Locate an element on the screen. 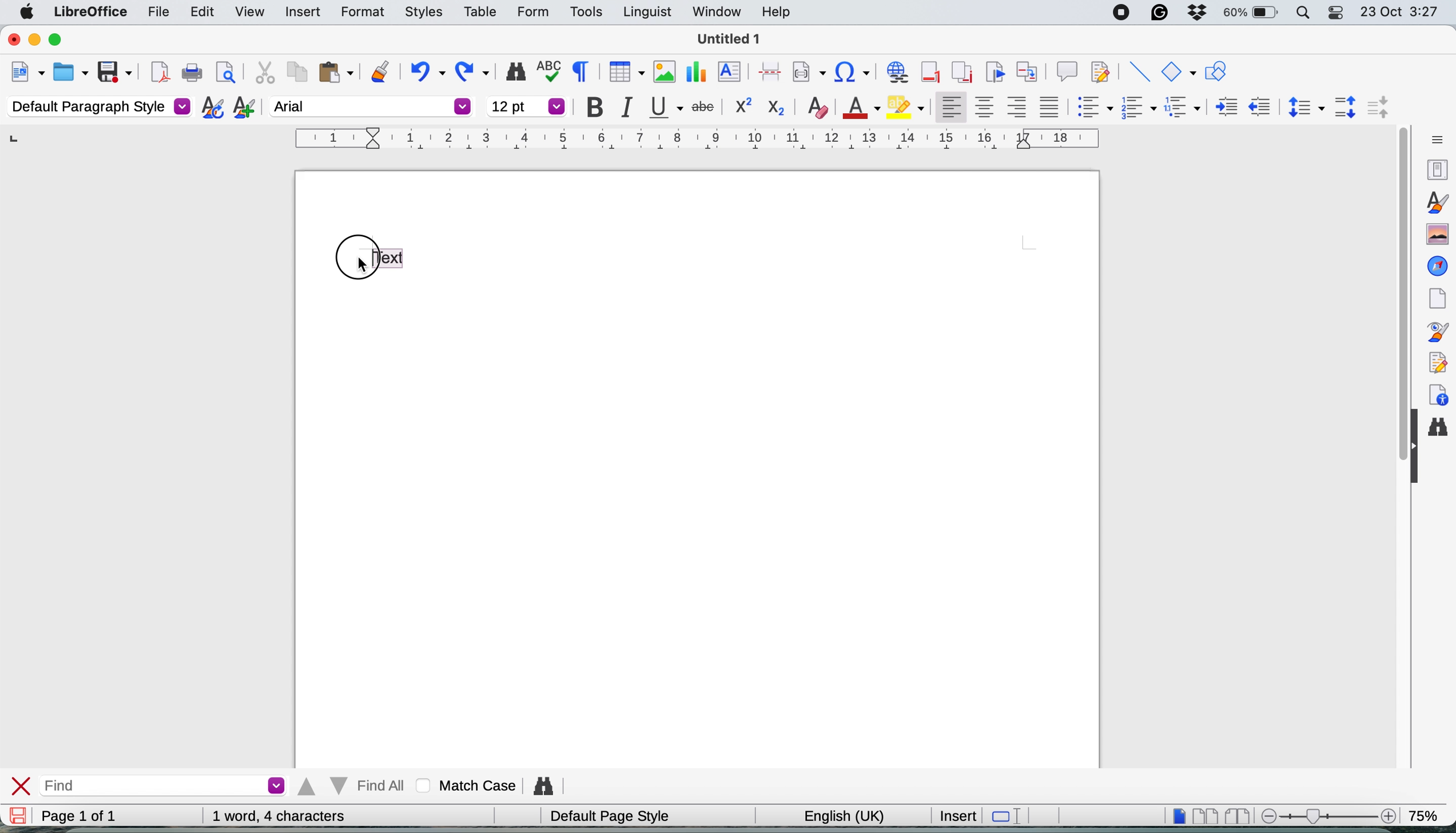  new is located at coordinates (27, 73).